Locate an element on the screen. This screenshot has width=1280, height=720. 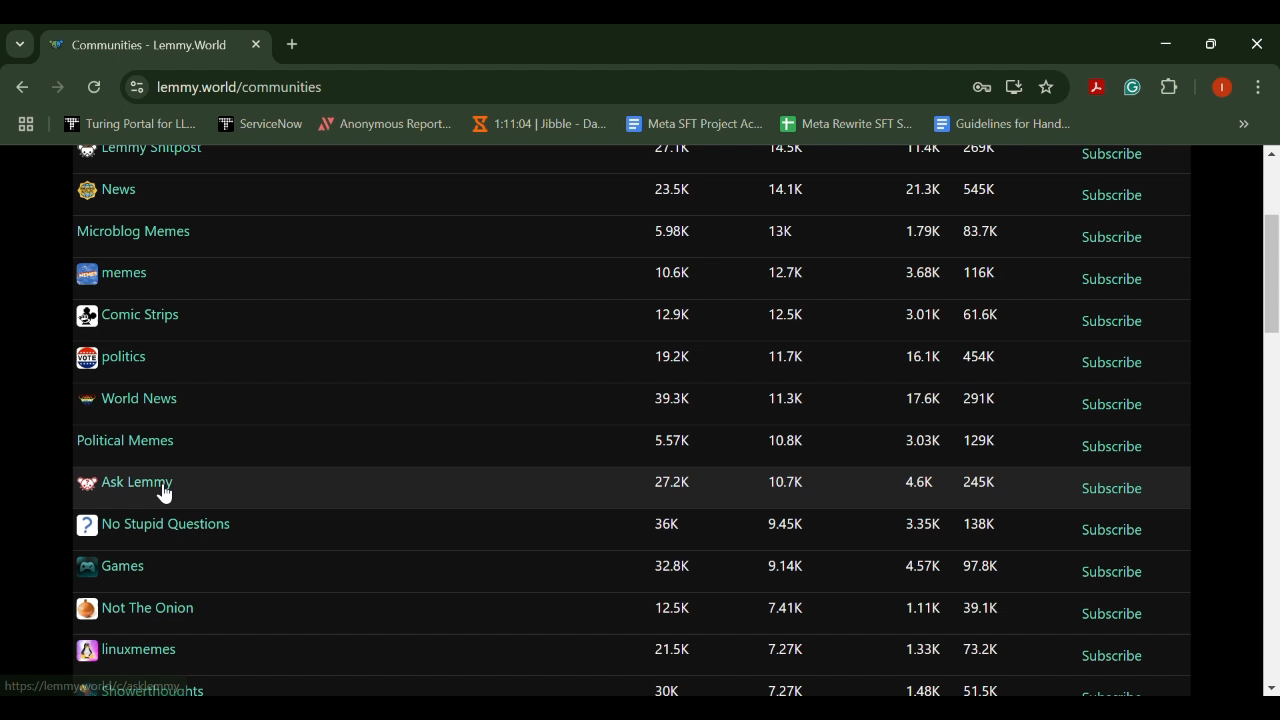
36K is located at coordinates (669, 529).